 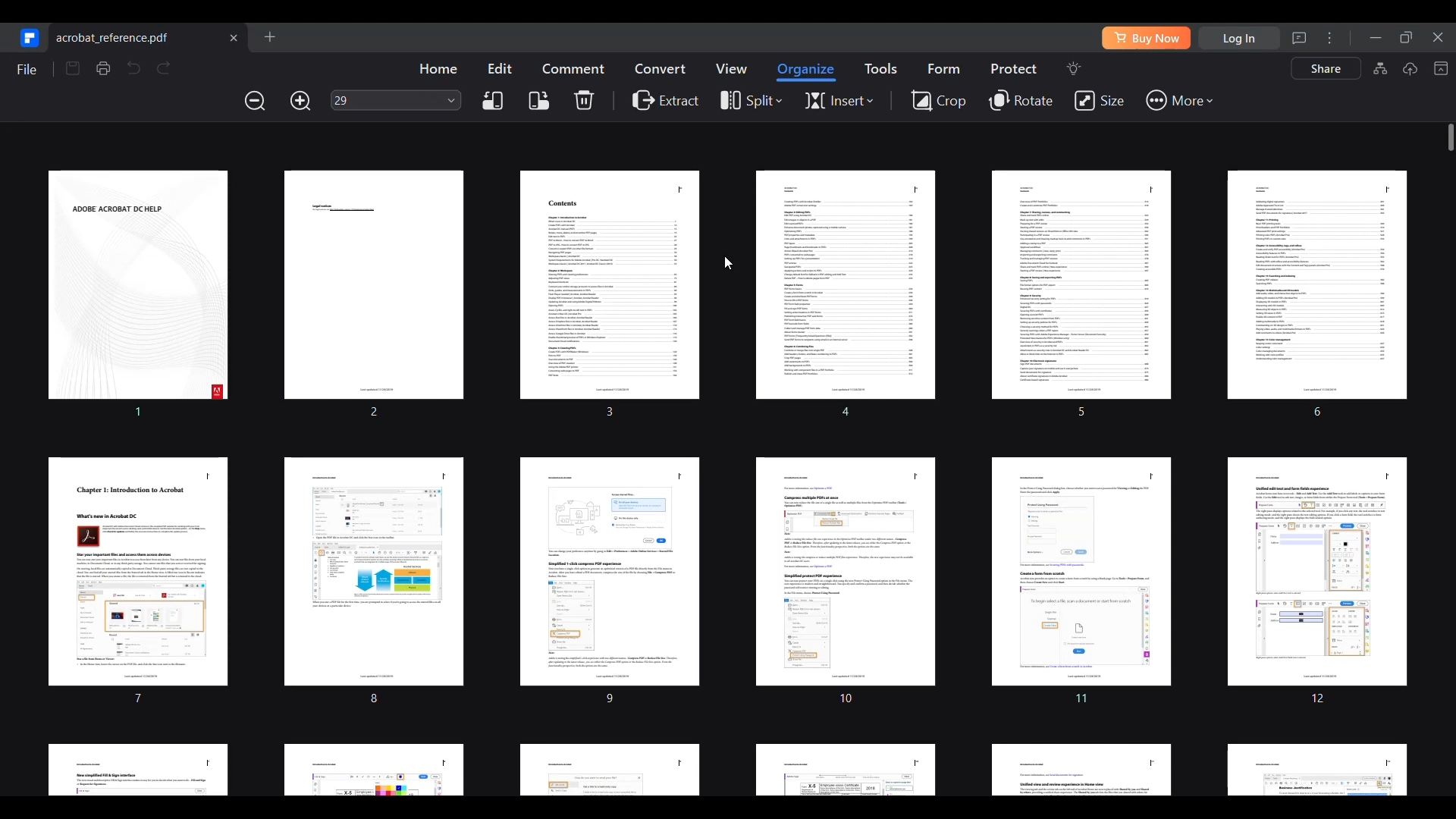 I want to click on Zoom in, so click(x=300, y=101).